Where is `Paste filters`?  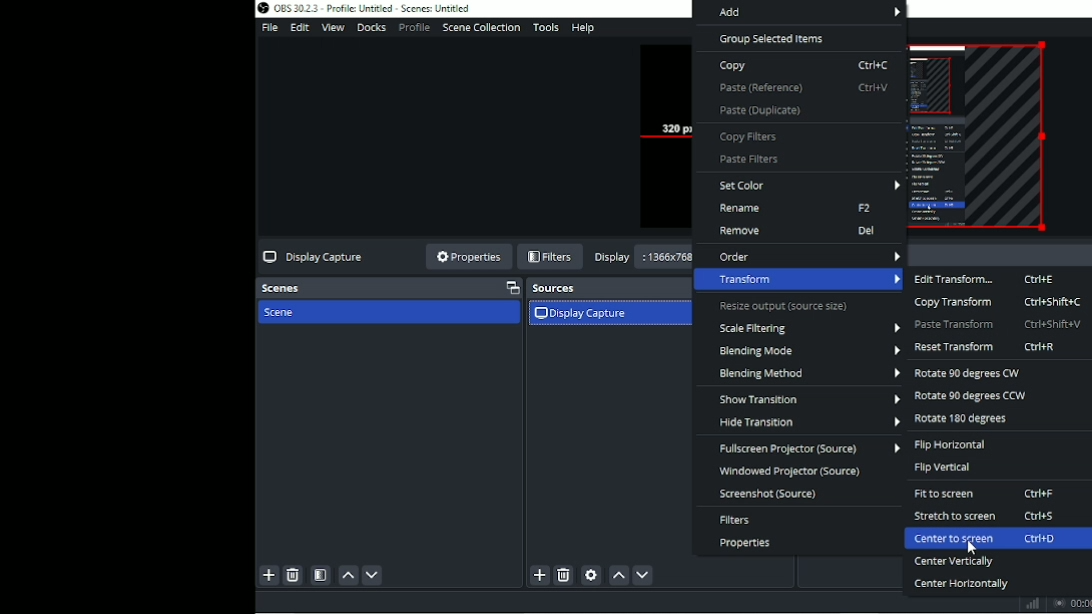
Paste filters is located at coordinates (750, 160).